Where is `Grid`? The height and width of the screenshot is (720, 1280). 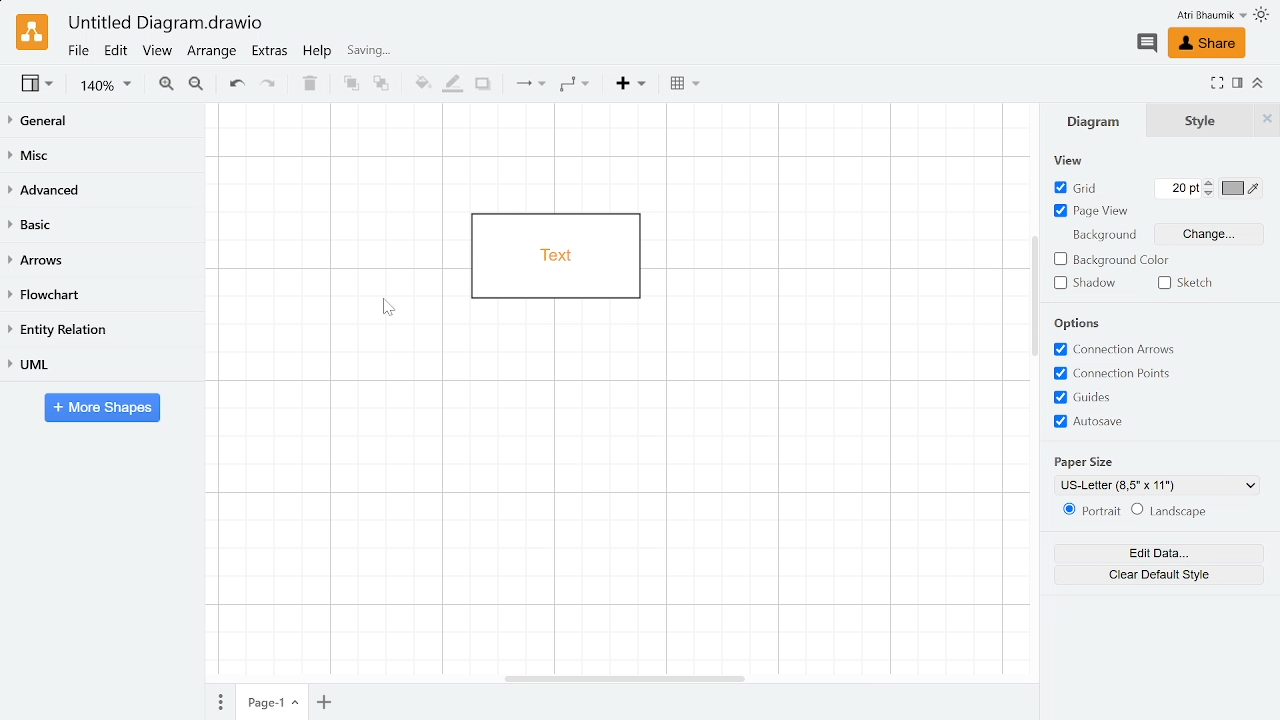 Grid is located at coordinates (1076, 189).